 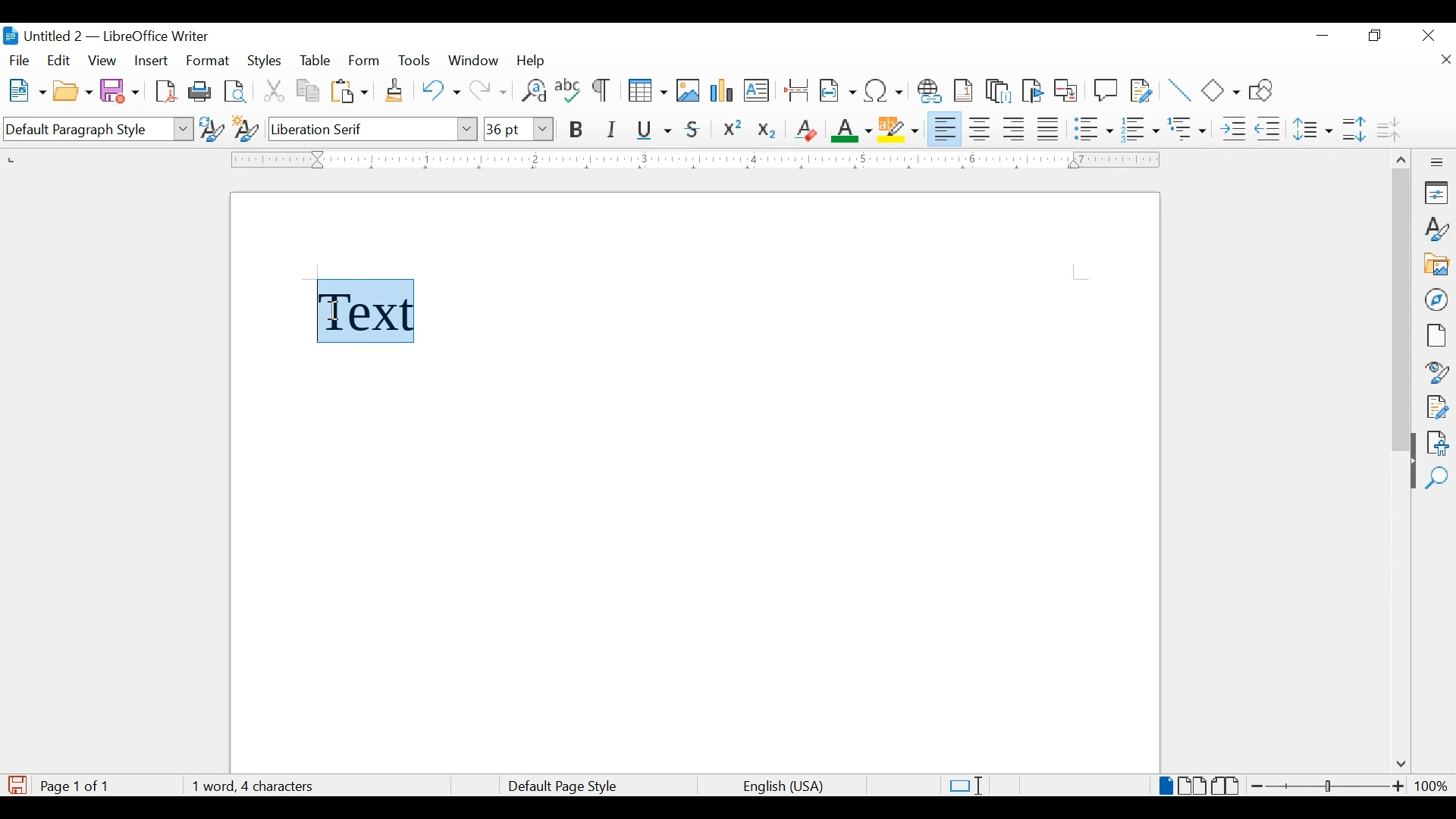 I want to click on new style from selection, so click(x=246, y=126).